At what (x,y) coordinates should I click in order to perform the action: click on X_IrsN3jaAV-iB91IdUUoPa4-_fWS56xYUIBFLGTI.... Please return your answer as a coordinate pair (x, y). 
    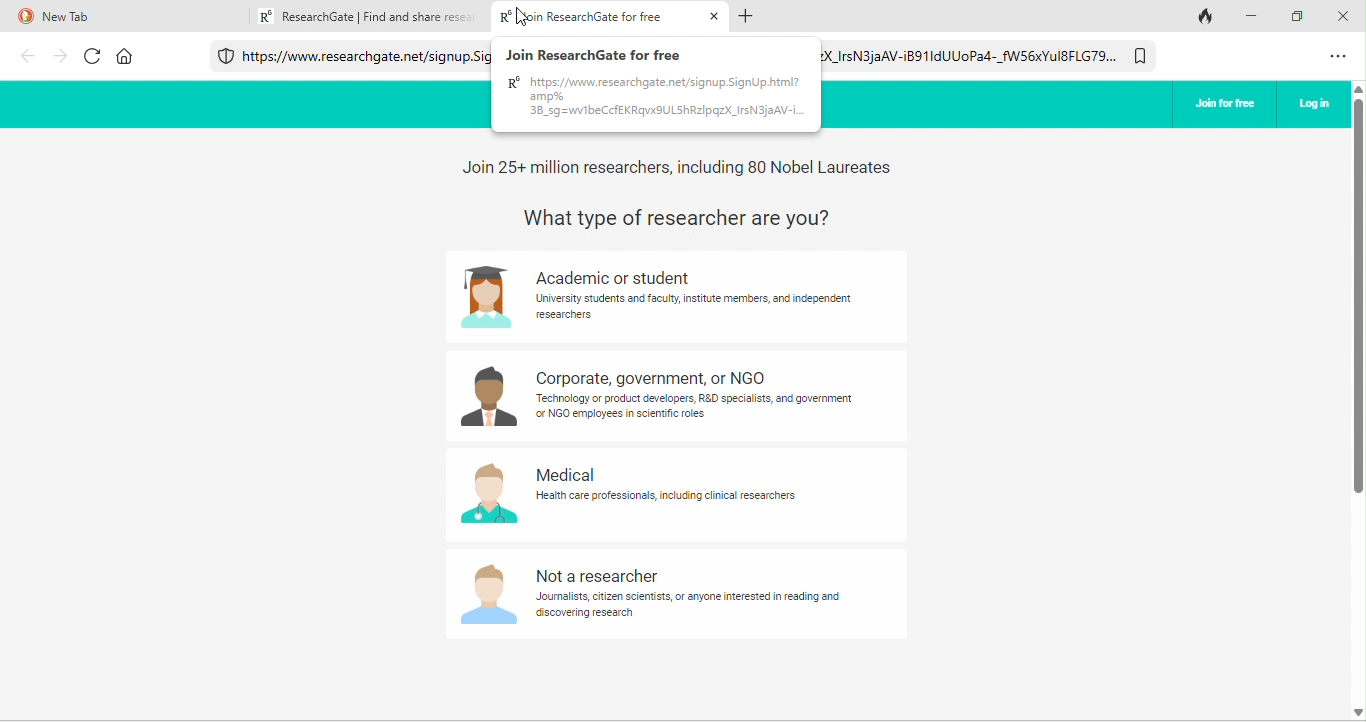
    Looking at the image, I should click on (970, 54).